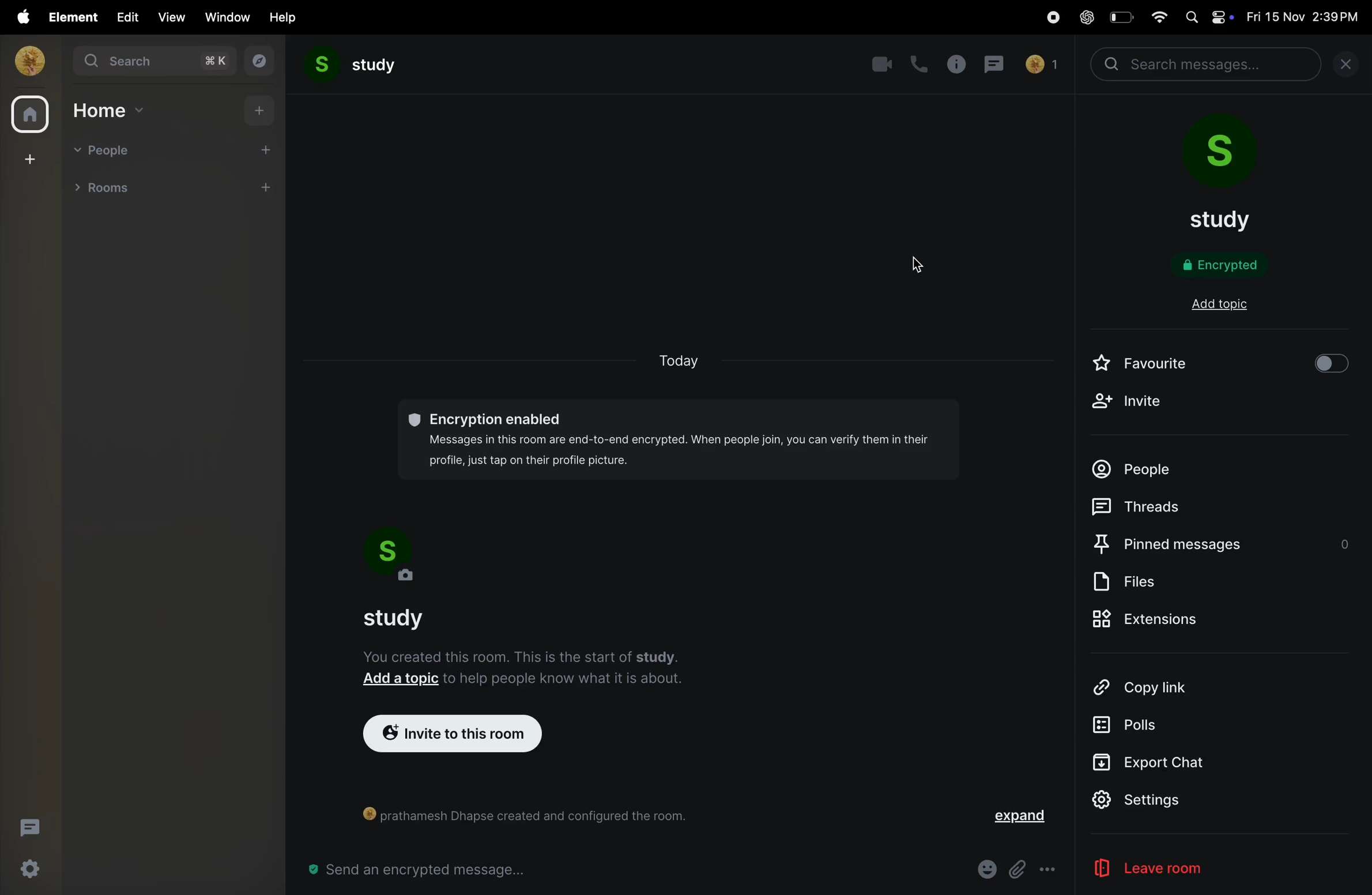 The image size is (1372, 895). What do you see at coordinates (1151, 619) in the screenshot?
I see `extinsions` at bounding box center [1151, 619].